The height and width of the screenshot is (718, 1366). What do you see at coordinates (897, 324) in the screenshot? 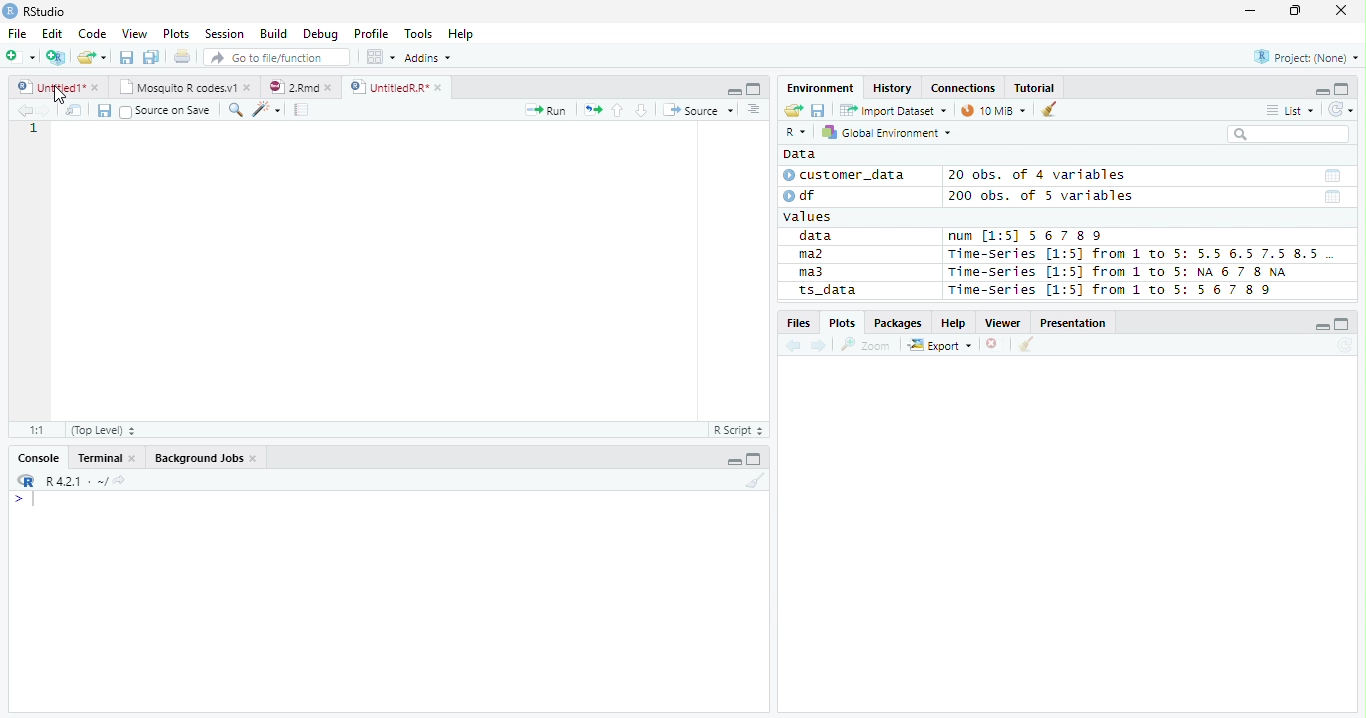
I see `Packages` at bounding box center [897, 324].